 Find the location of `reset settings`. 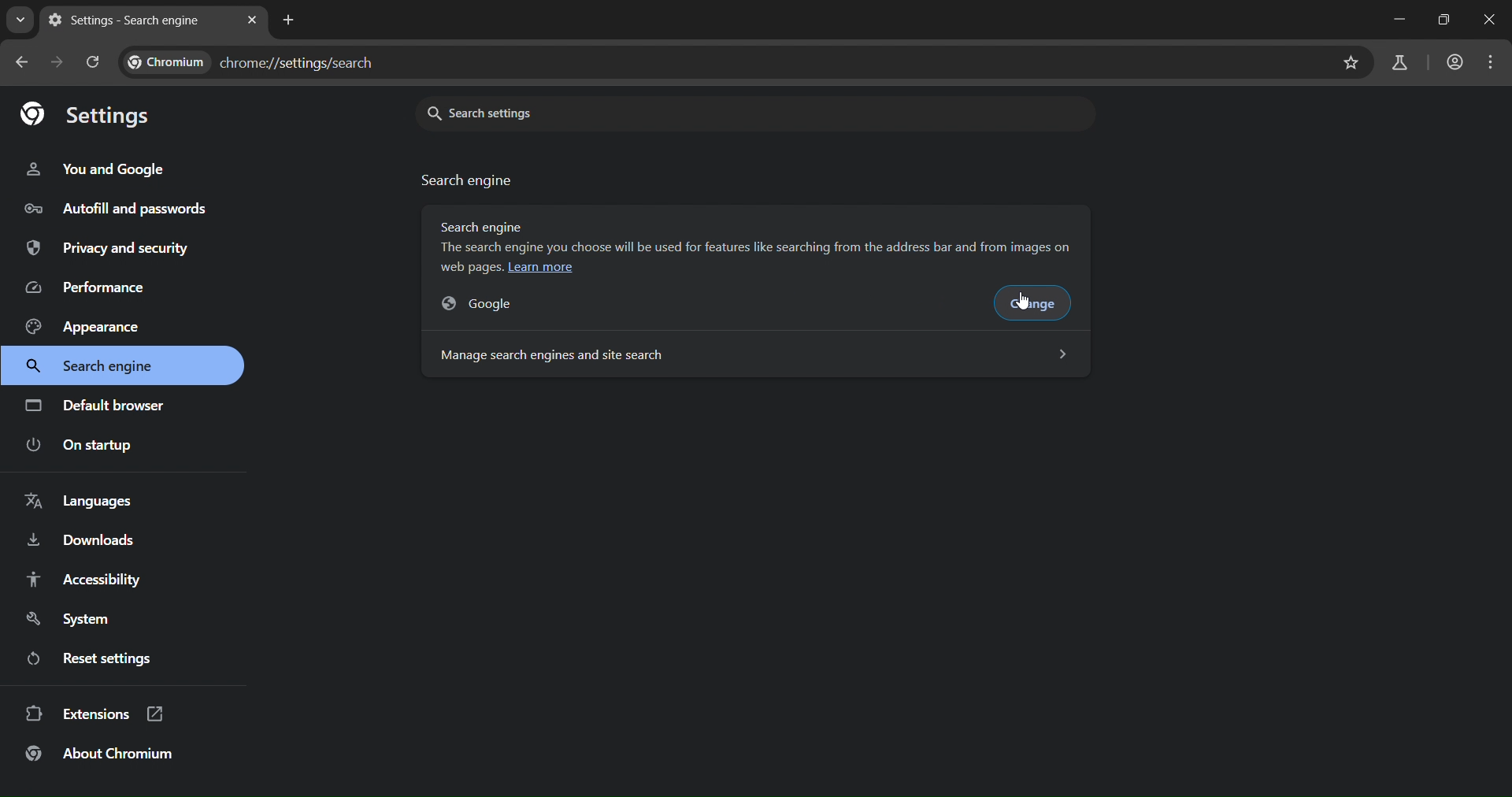

reset settings is located at coordinates (94, 658).